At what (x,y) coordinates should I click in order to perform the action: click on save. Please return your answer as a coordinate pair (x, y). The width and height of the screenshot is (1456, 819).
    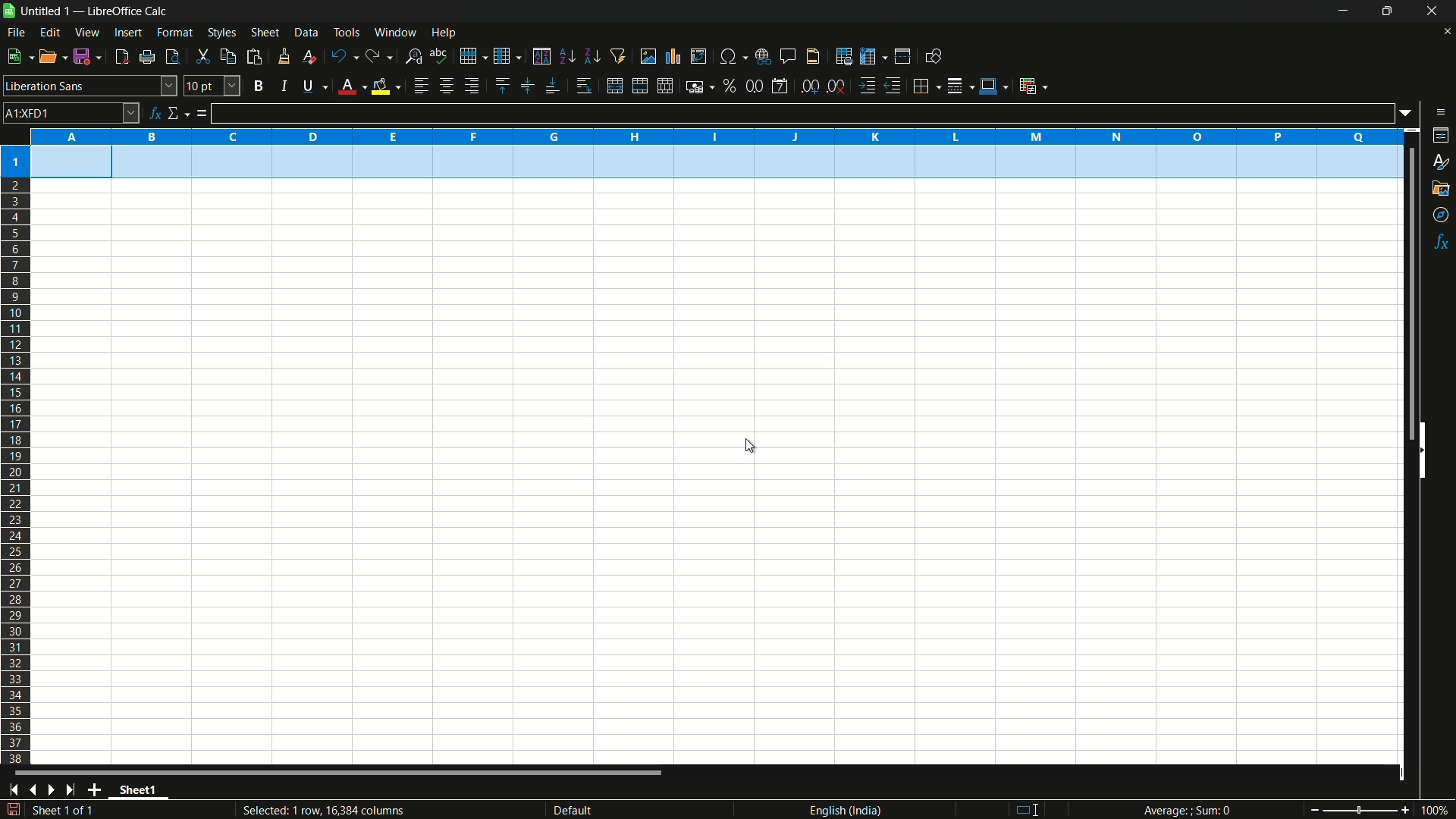
    Looking at the image, I should click on (13, 810).